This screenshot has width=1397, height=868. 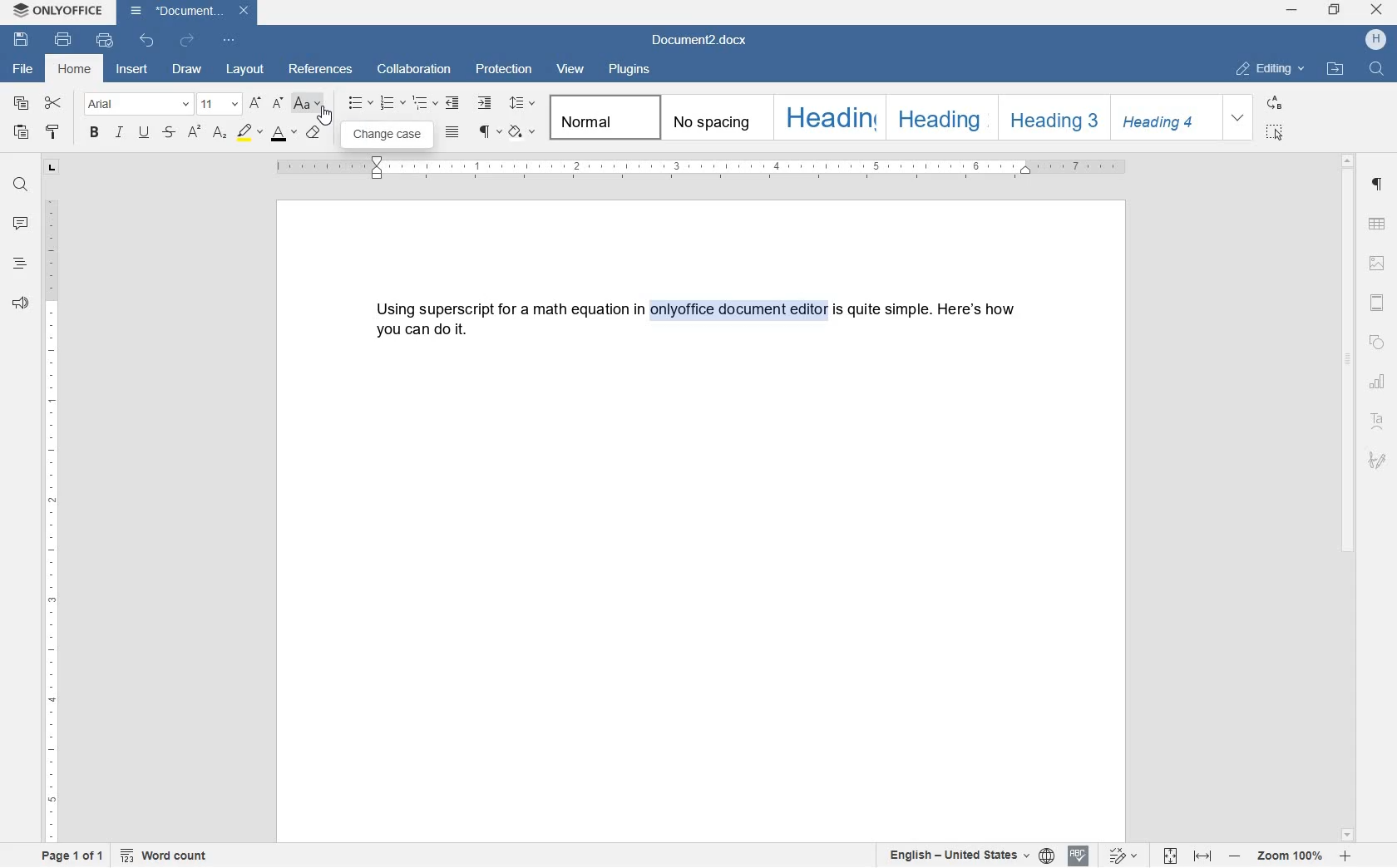 What do you see at coordinates (103, 40) in the screenshot?
I see `quick print` at bounding box center [103, 40].